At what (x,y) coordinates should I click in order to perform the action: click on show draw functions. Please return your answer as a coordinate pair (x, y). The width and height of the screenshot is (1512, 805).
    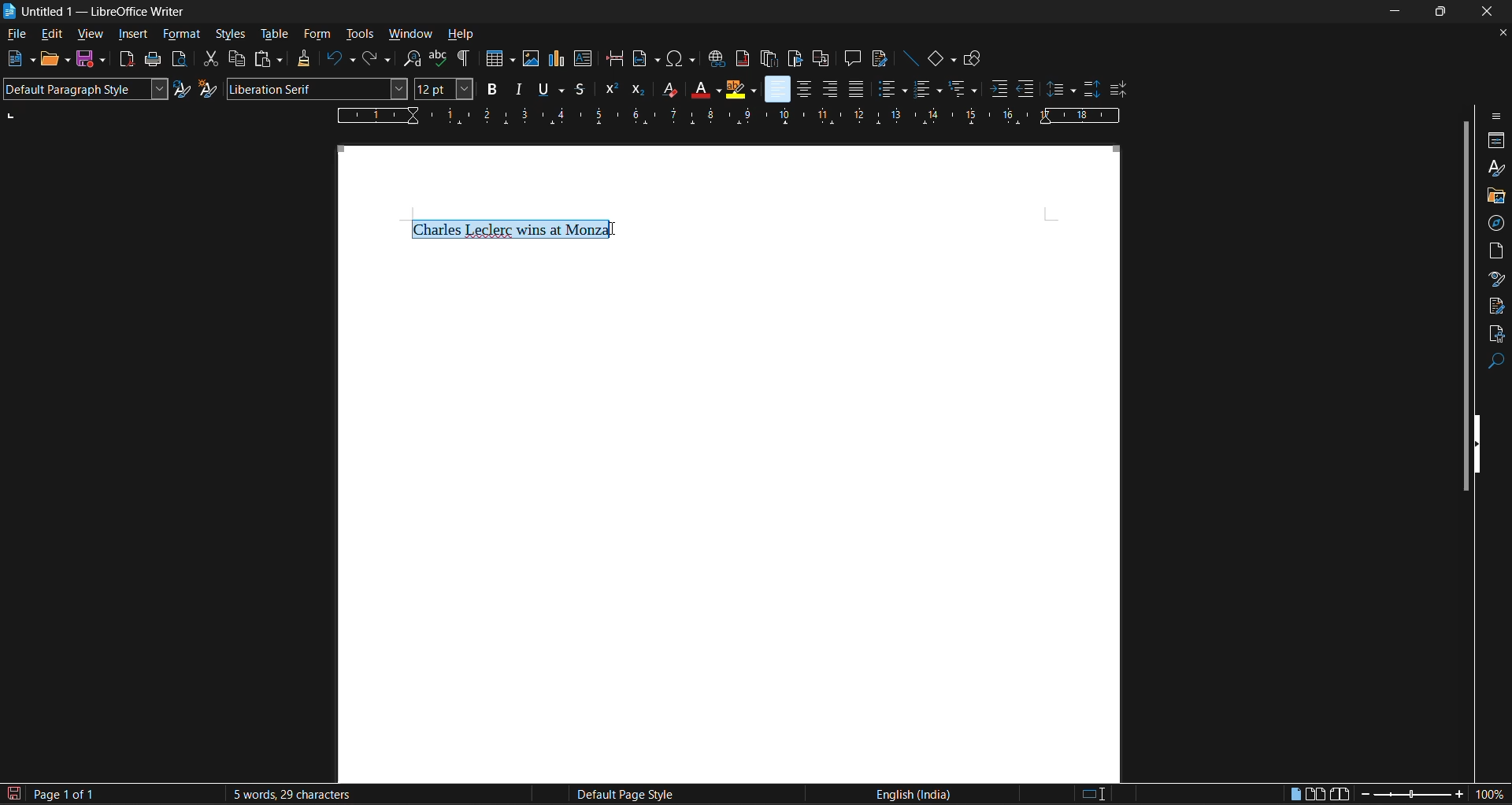
    Looking at the image, I should click on (975, 60).